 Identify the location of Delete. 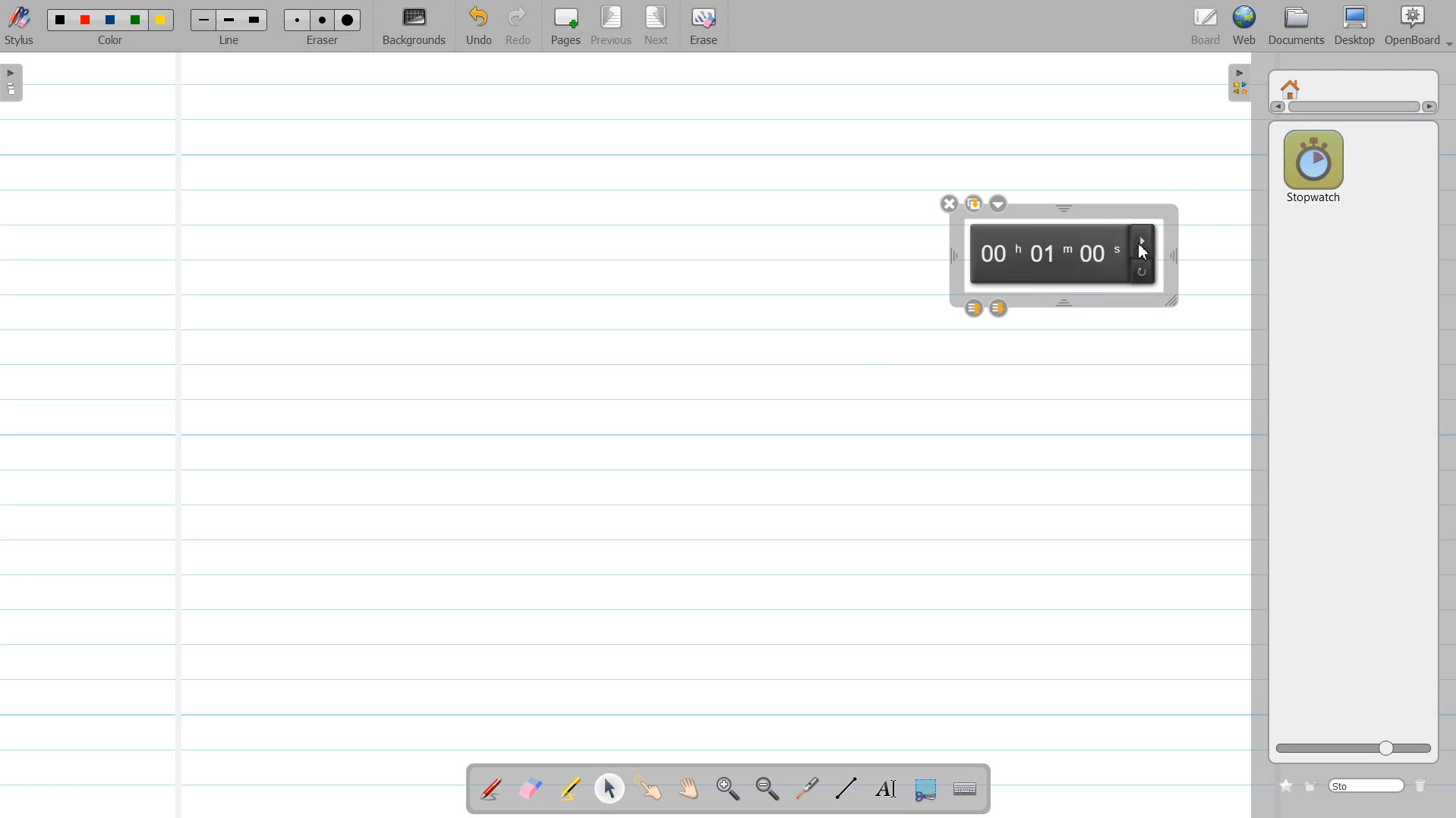
(1424, 785).